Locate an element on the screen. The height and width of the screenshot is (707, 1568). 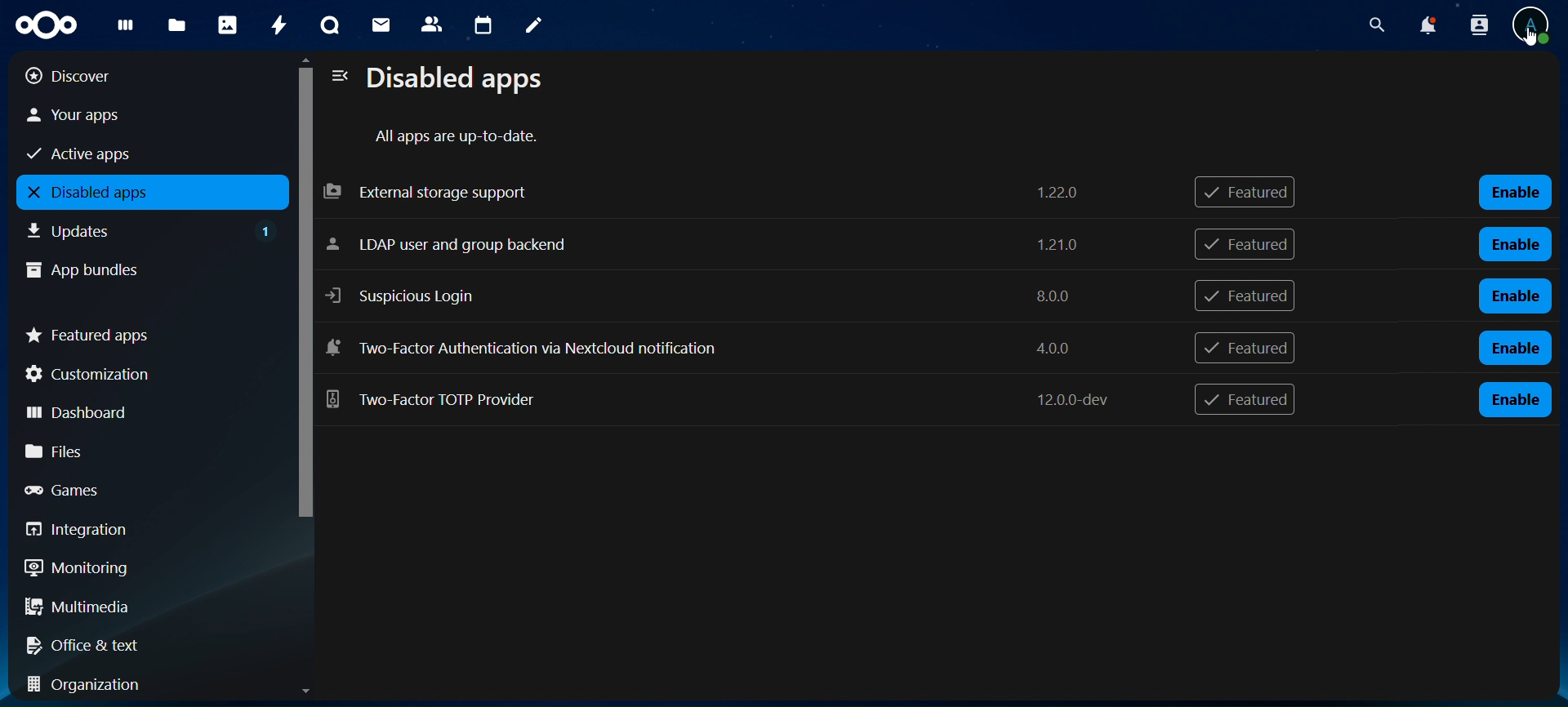
LDAP user and group backend is located at coordinates (706, 247).